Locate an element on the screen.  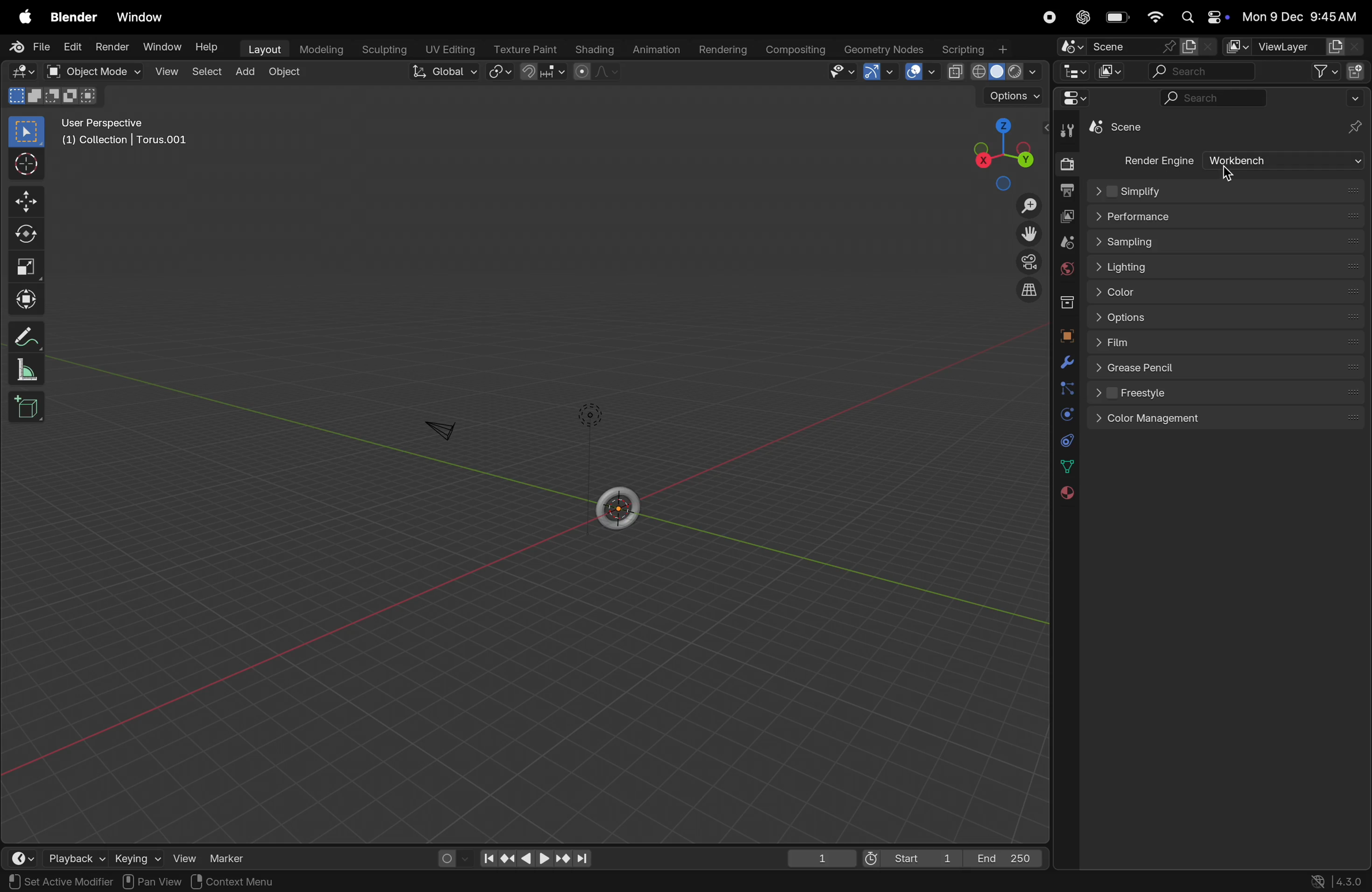
select boss is located at coordinates (31, 133).